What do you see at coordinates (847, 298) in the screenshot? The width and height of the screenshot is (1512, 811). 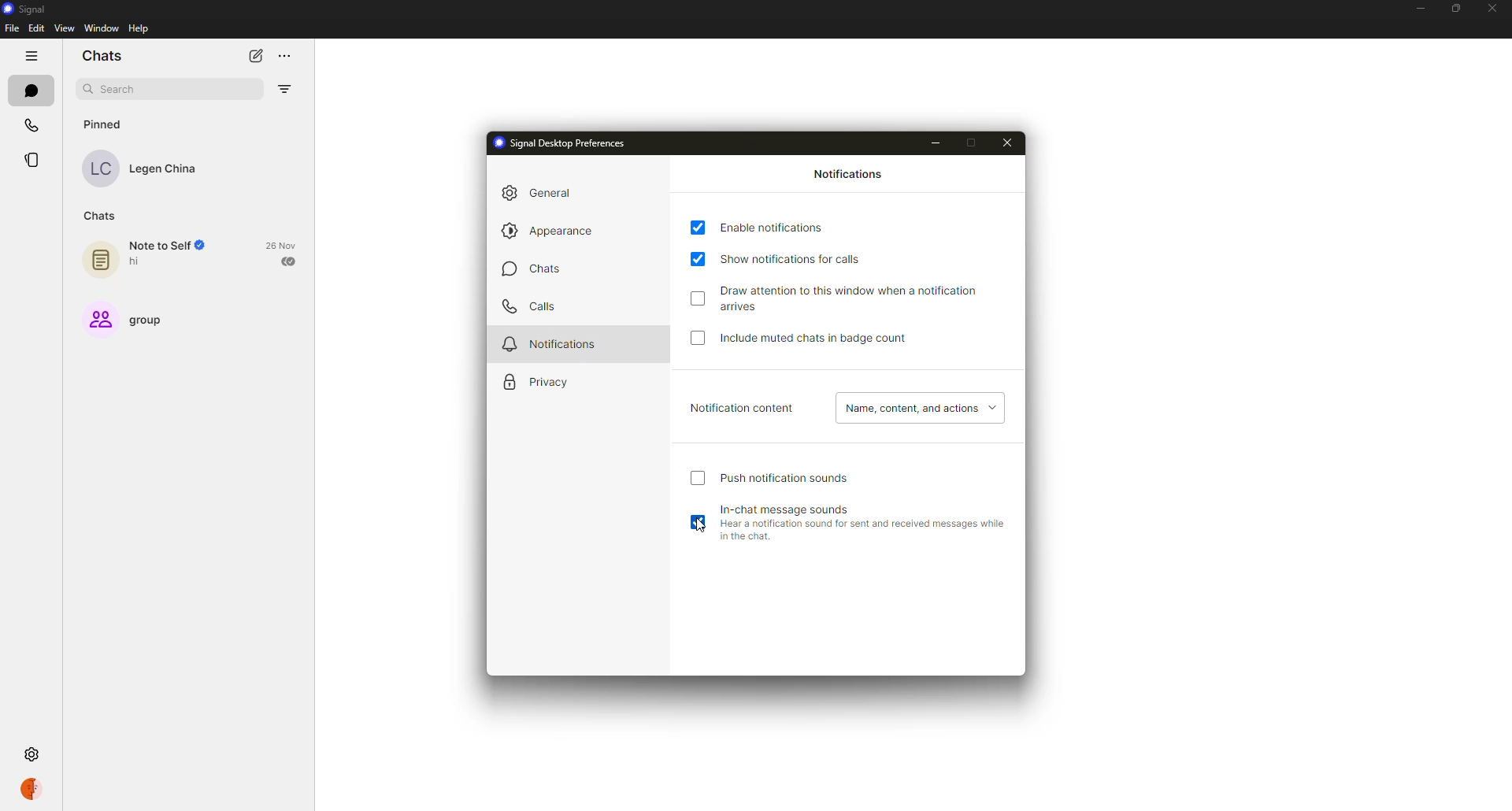 I see `draw attention to this window when notification arrives` at bounding box center [847, 298].